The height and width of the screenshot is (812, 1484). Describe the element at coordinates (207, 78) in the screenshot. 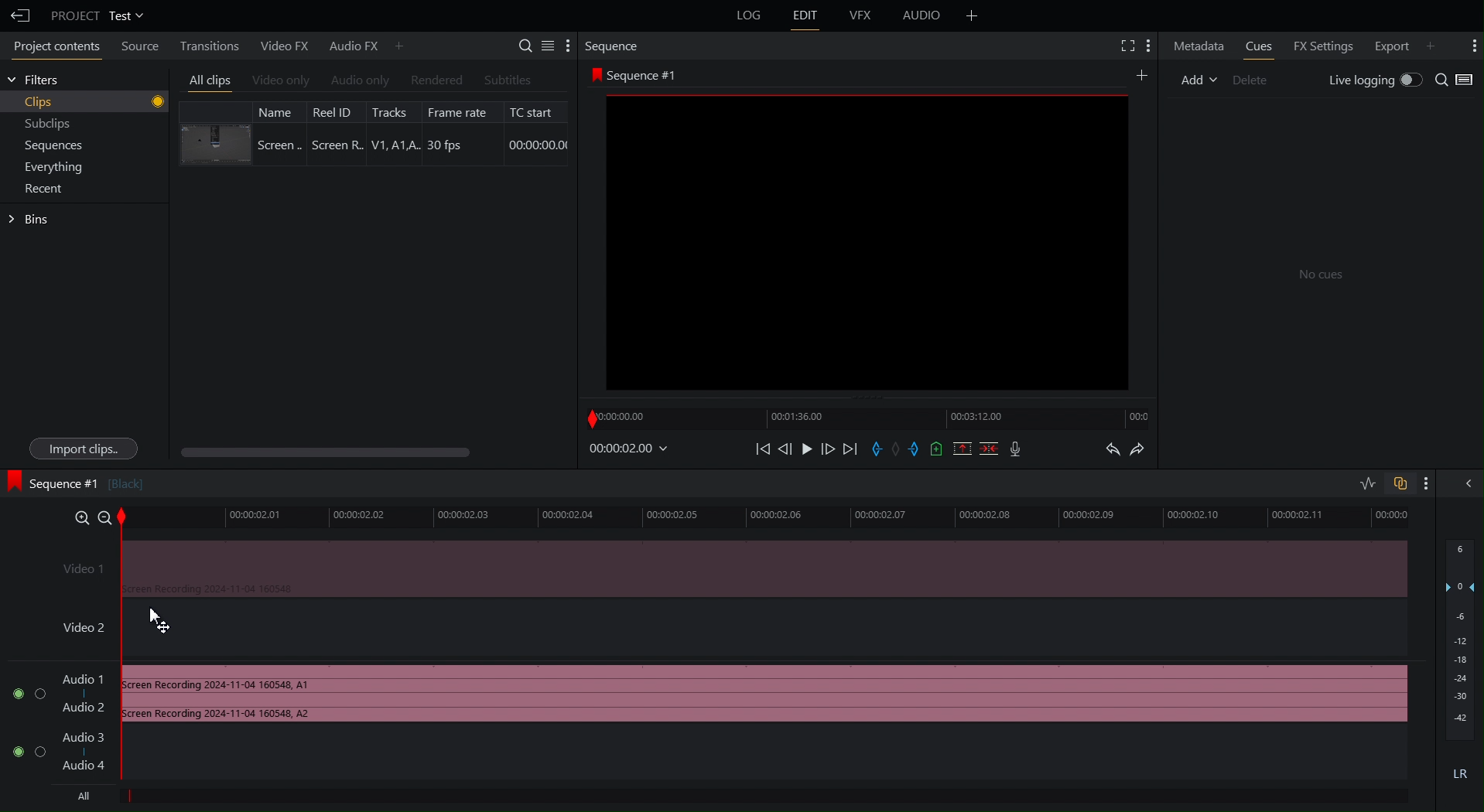

I see `All clips` at that location.